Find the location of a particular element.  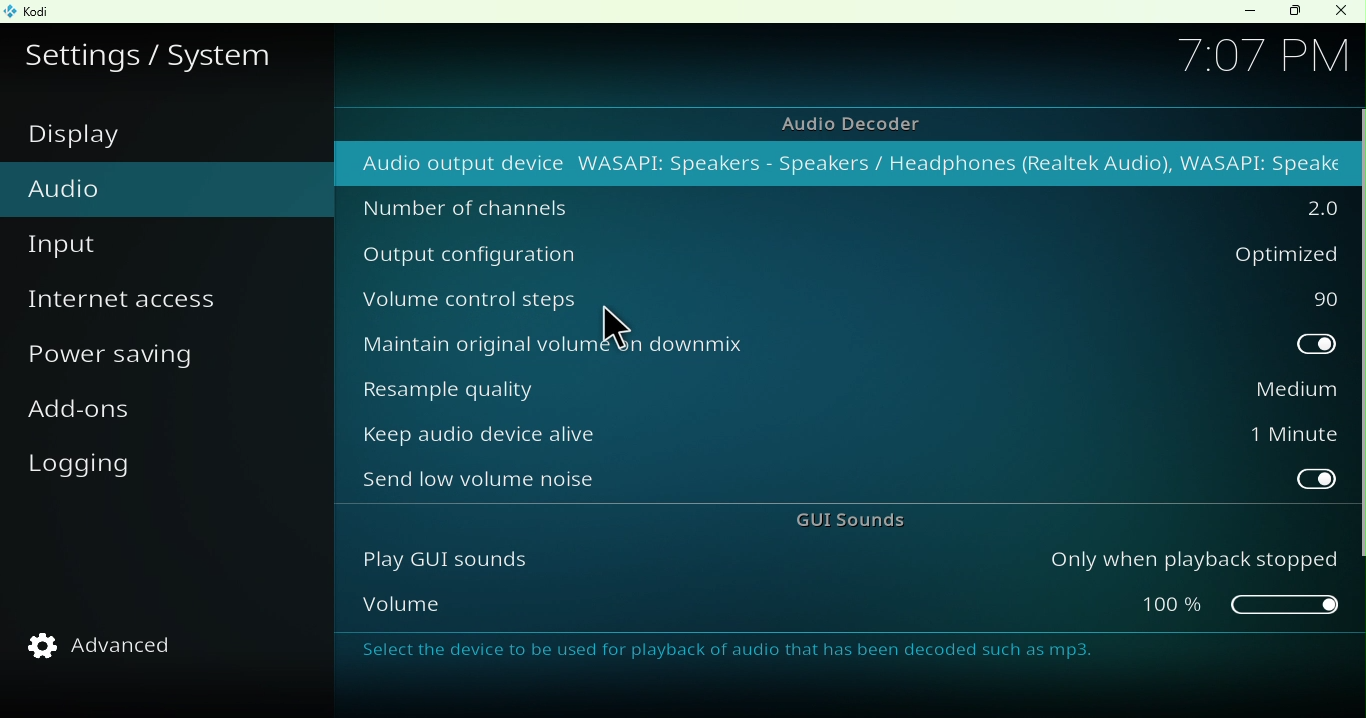

Volume is located at coordinates (698, 604).